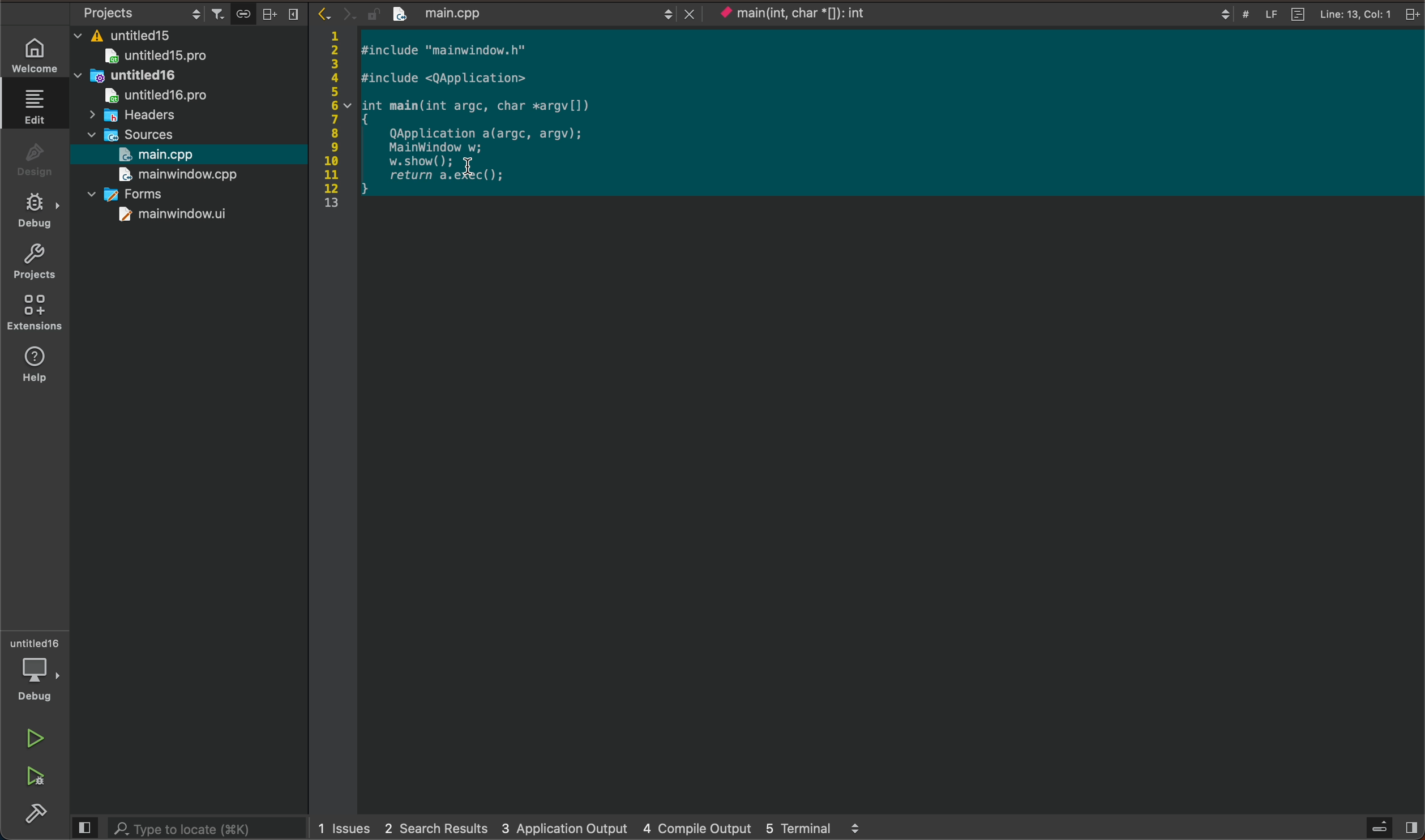  What do you see at coordinates (155, 78) in the screenshot?
I see `untitled16` at bounding box center [155, 78].